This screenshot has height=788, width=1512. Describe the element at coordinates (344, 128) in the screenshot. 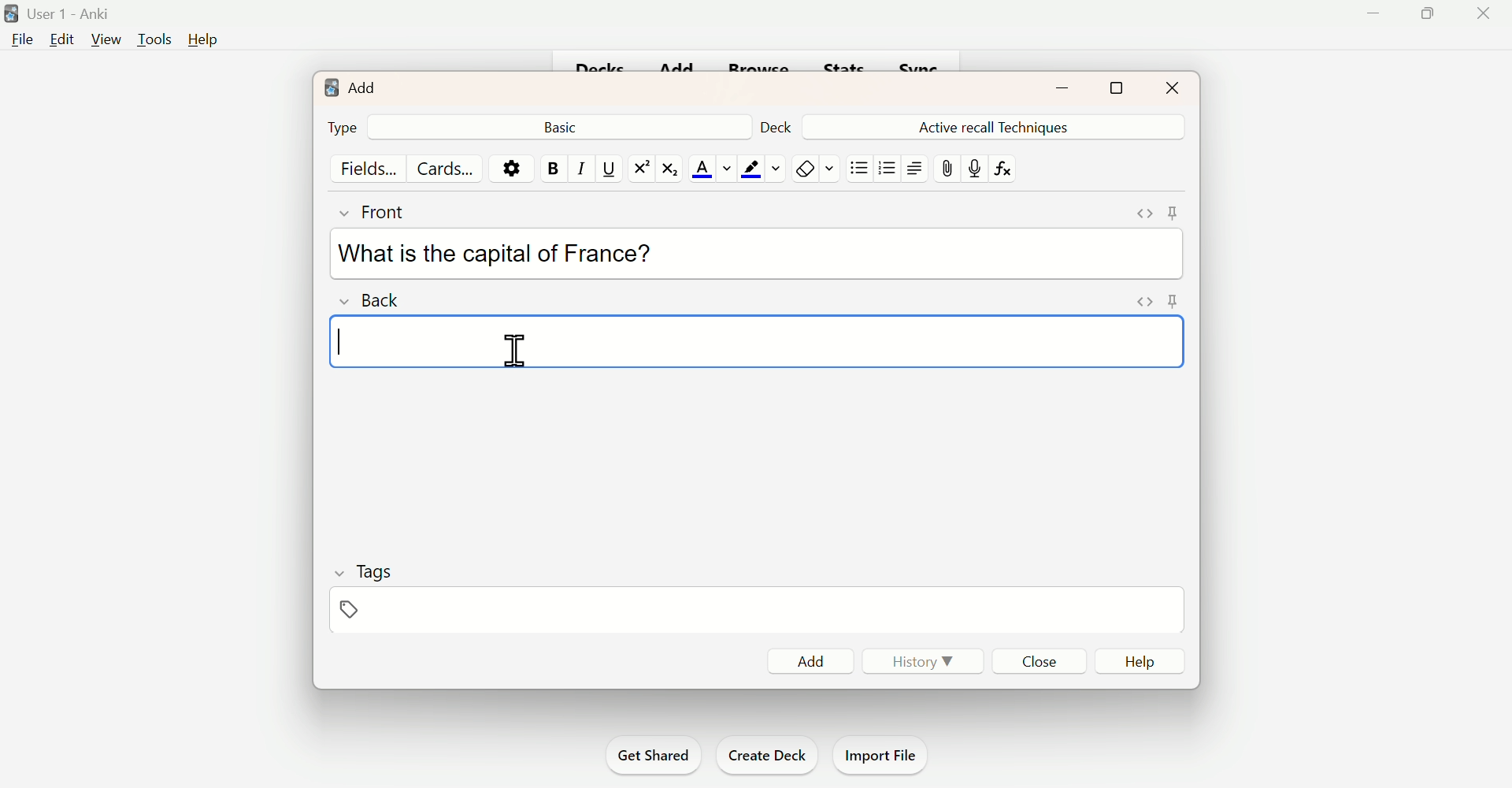

I see `Type` at that location.